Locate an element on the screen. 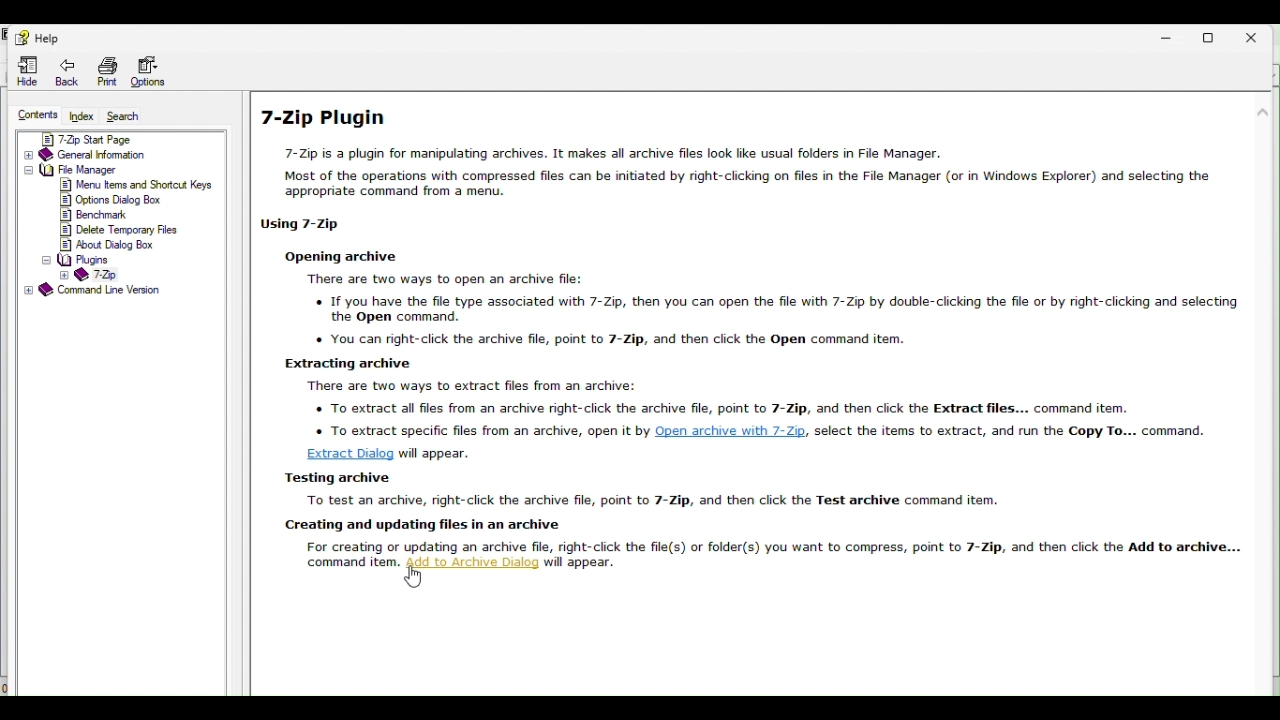  Print is located at coordinates (104, 70).